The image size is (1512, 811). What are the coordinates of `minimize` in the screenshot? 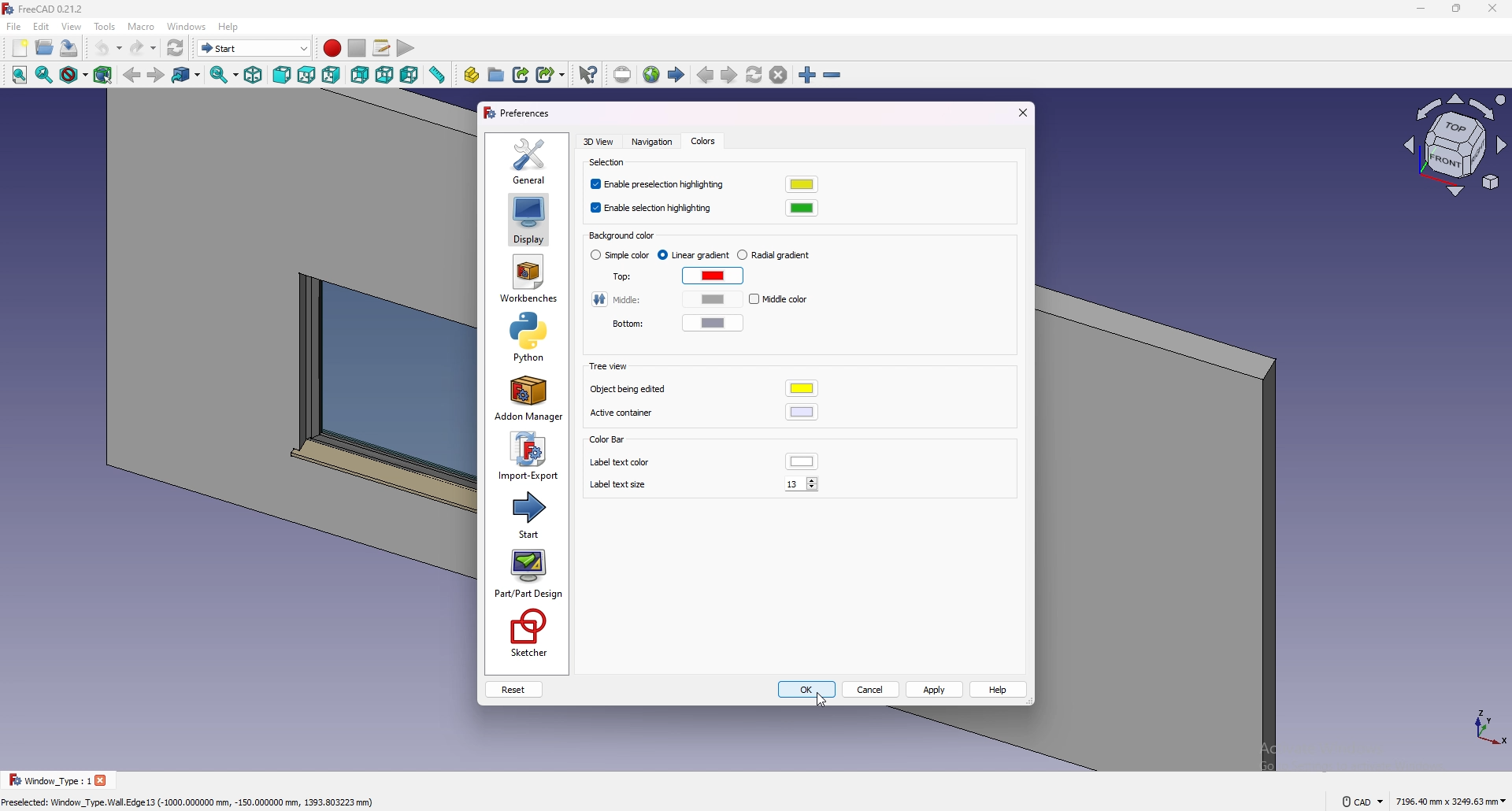 It's located at (1417, 9).